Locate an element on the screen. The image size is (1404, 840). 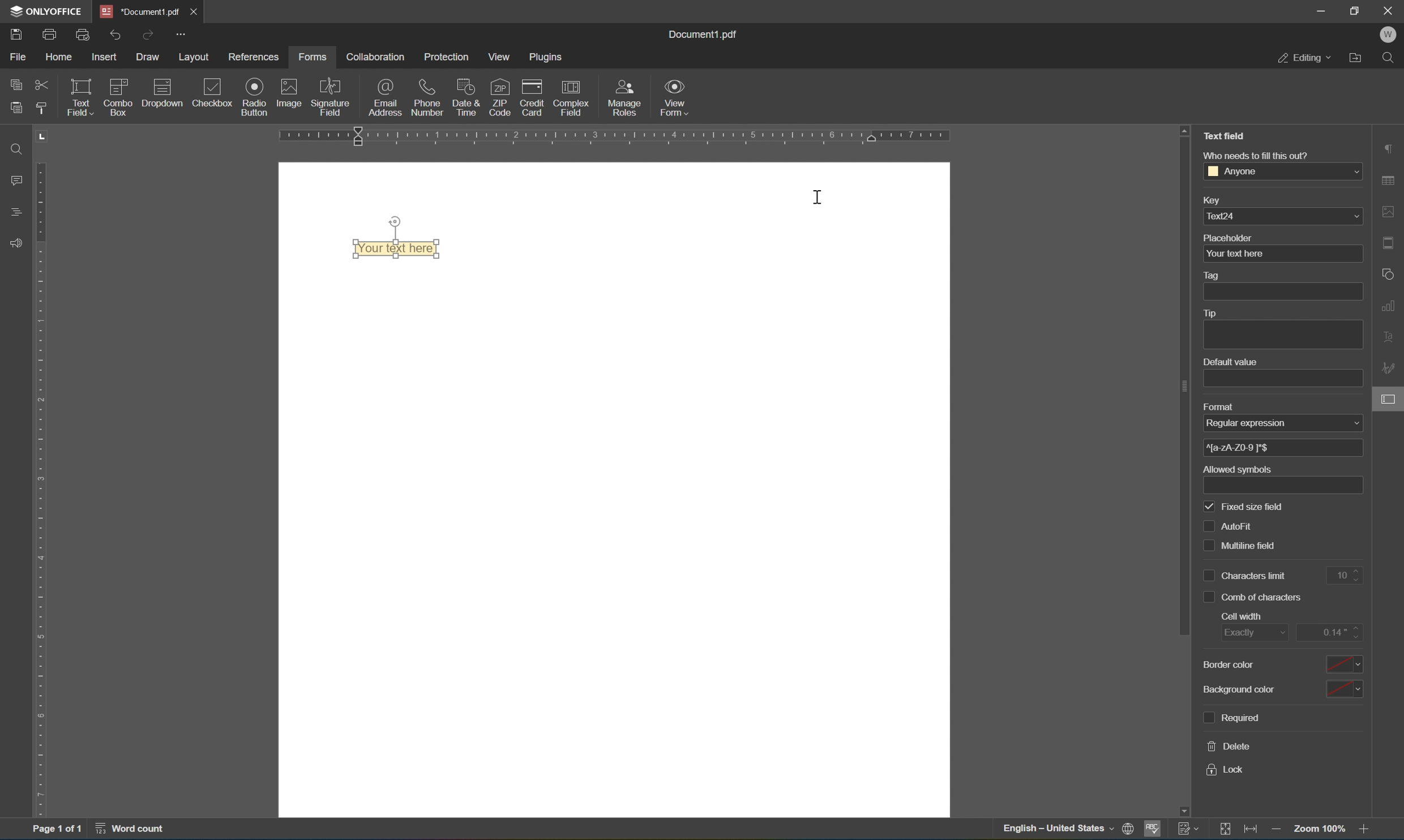
open file location is located at coordinates (1359, 57).